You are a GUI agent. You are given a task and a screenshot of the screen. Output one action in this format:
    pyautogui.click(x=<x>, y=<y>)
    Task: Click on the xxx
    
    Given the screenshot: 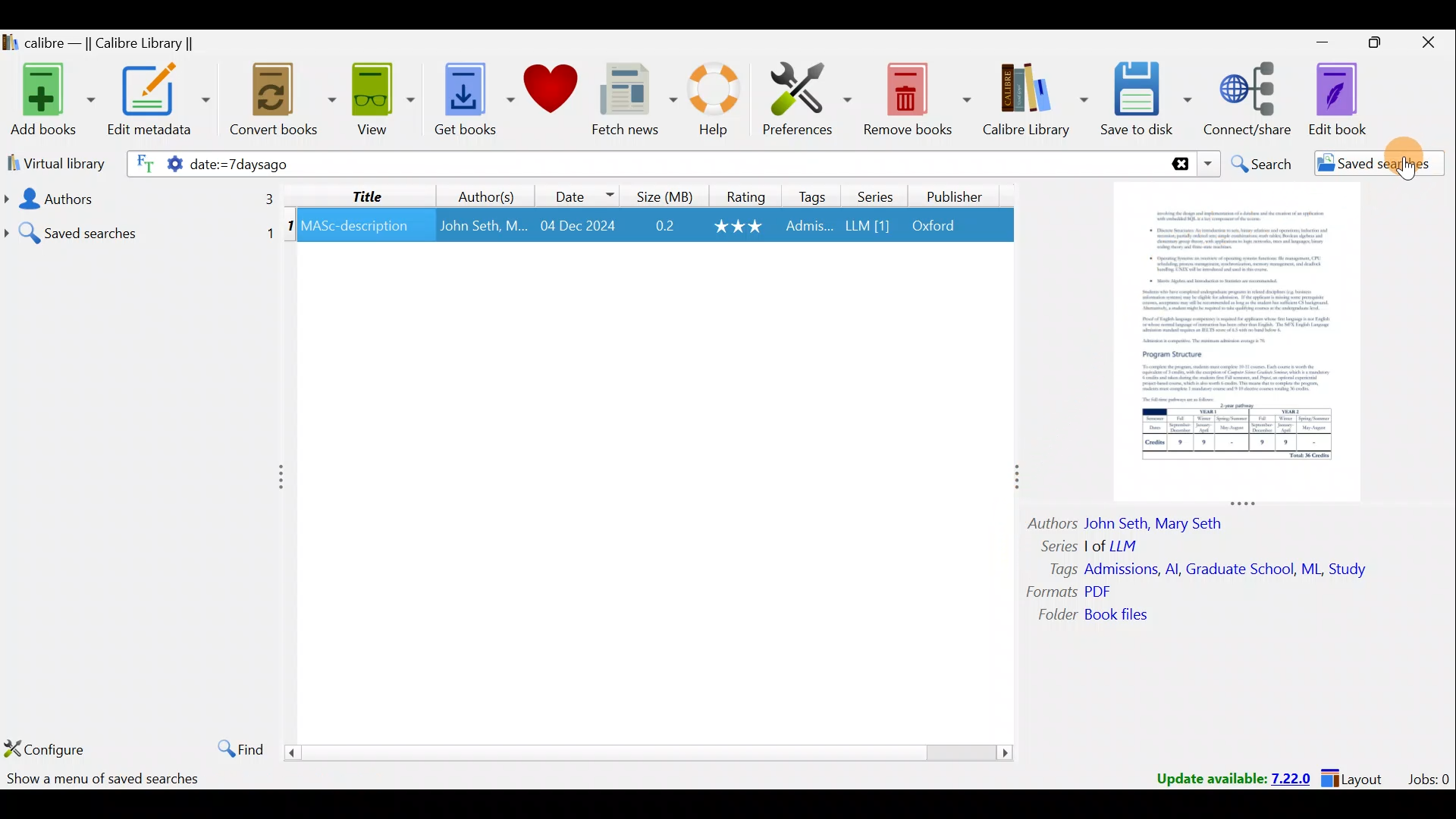 What is the action you would take?
    pyautogui.click(x=740, y=226)
    